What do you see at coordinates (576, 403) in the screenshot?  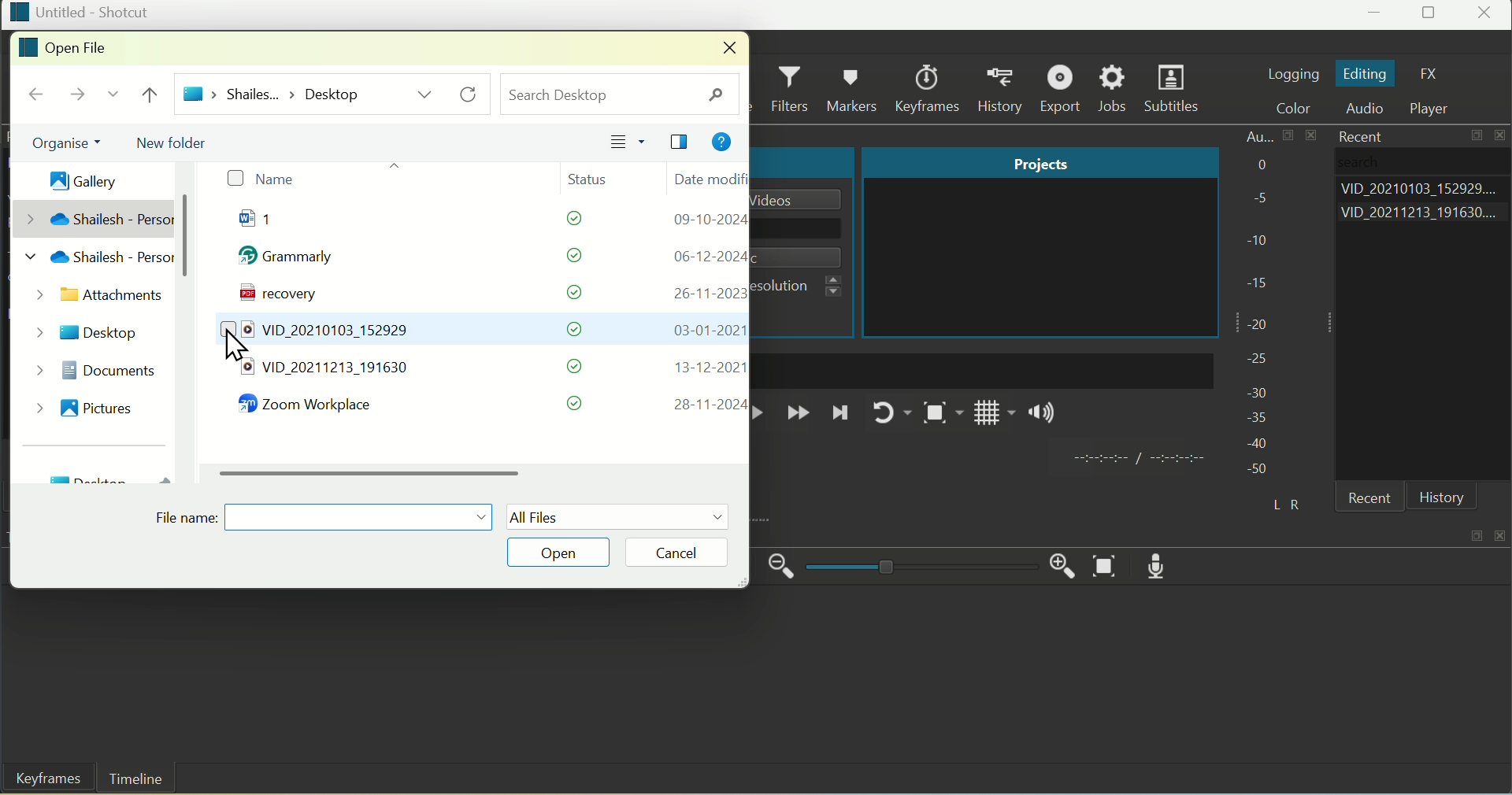 I see `status` at bounding box center [576, 403].